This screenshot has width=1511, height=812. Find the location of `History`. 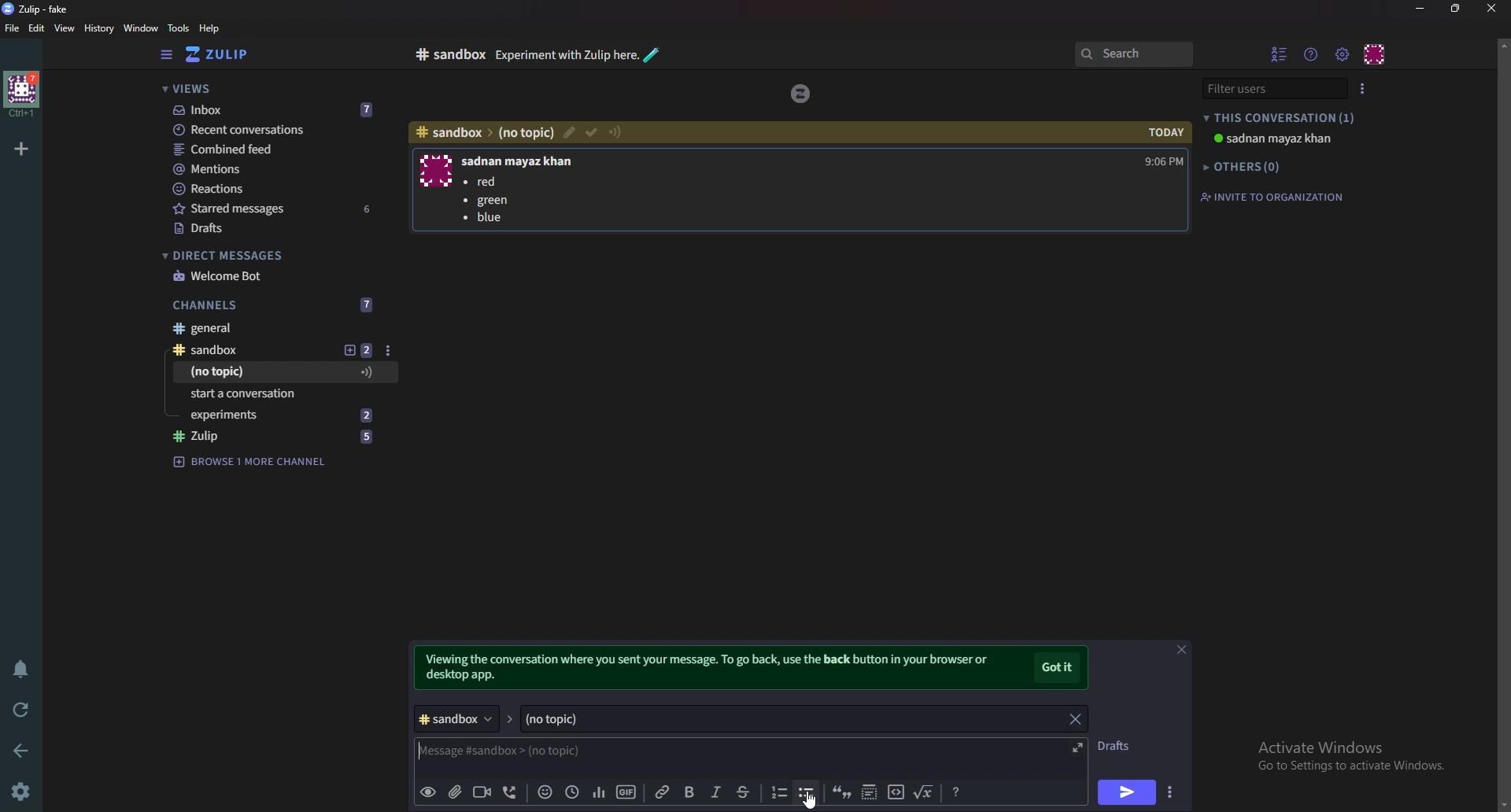

History is located at coordinates (101, 28).